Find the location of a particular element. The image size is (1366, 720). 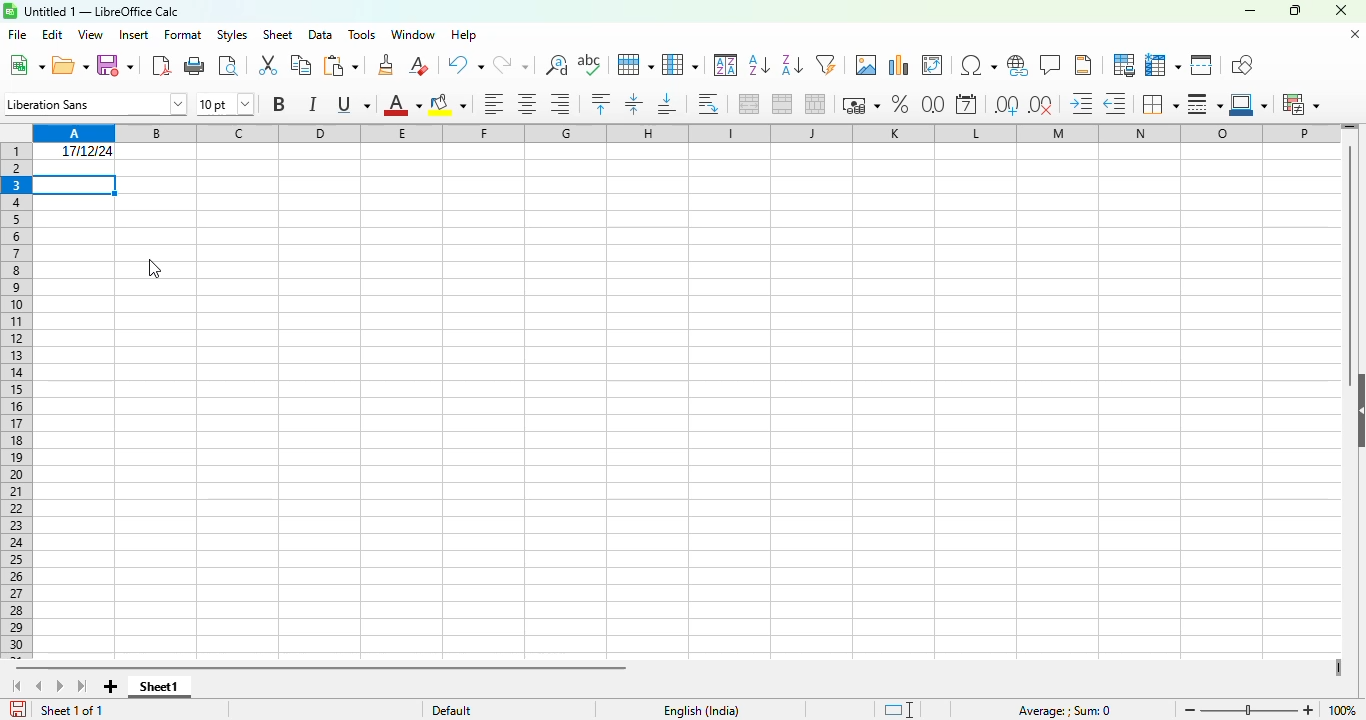

rows is located at coordinates (15, 401).